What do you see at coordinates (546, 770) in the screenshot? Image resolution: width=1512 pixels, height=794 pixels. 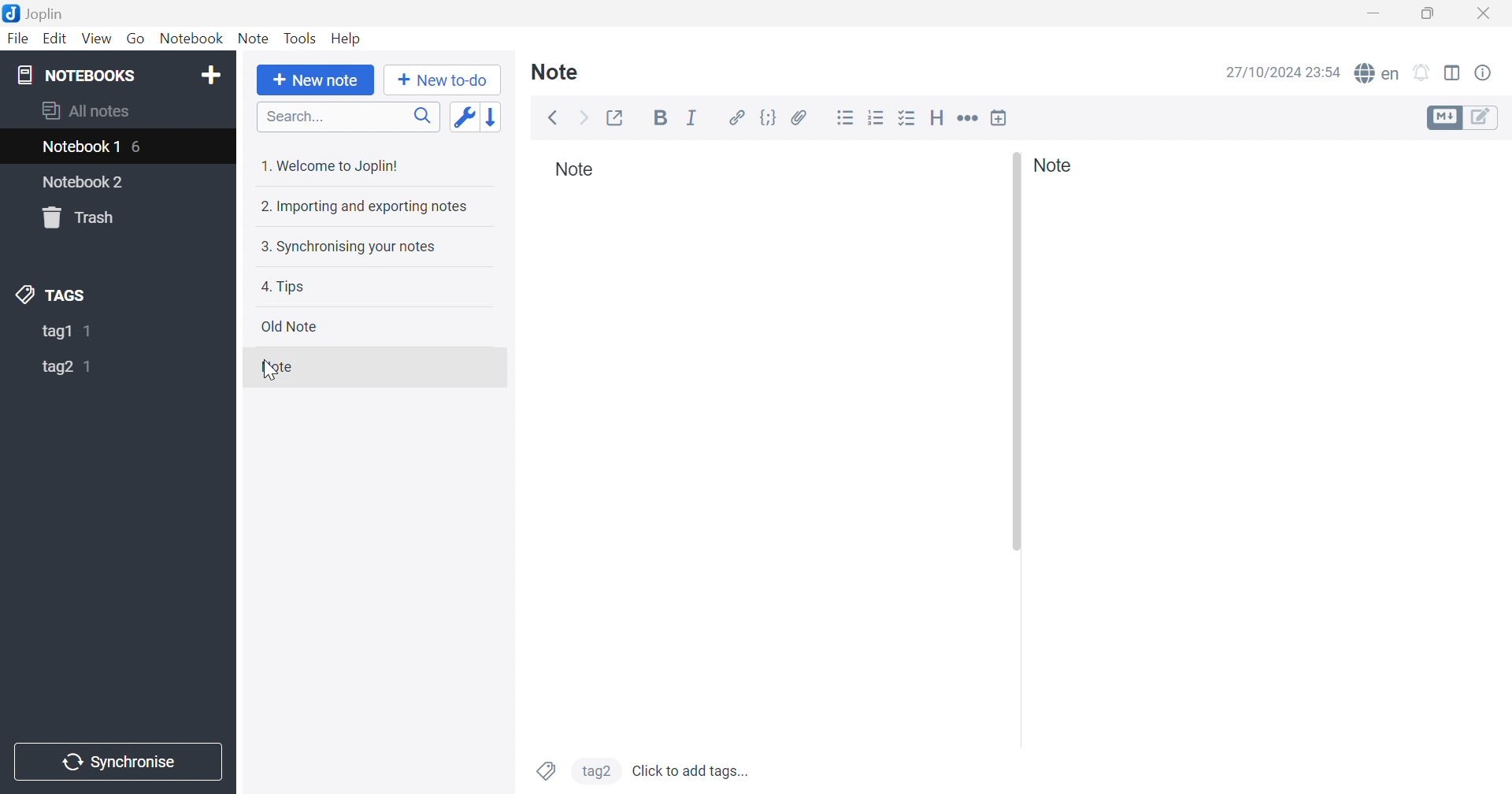 I see `Tags` at bounding box center [546, 770].